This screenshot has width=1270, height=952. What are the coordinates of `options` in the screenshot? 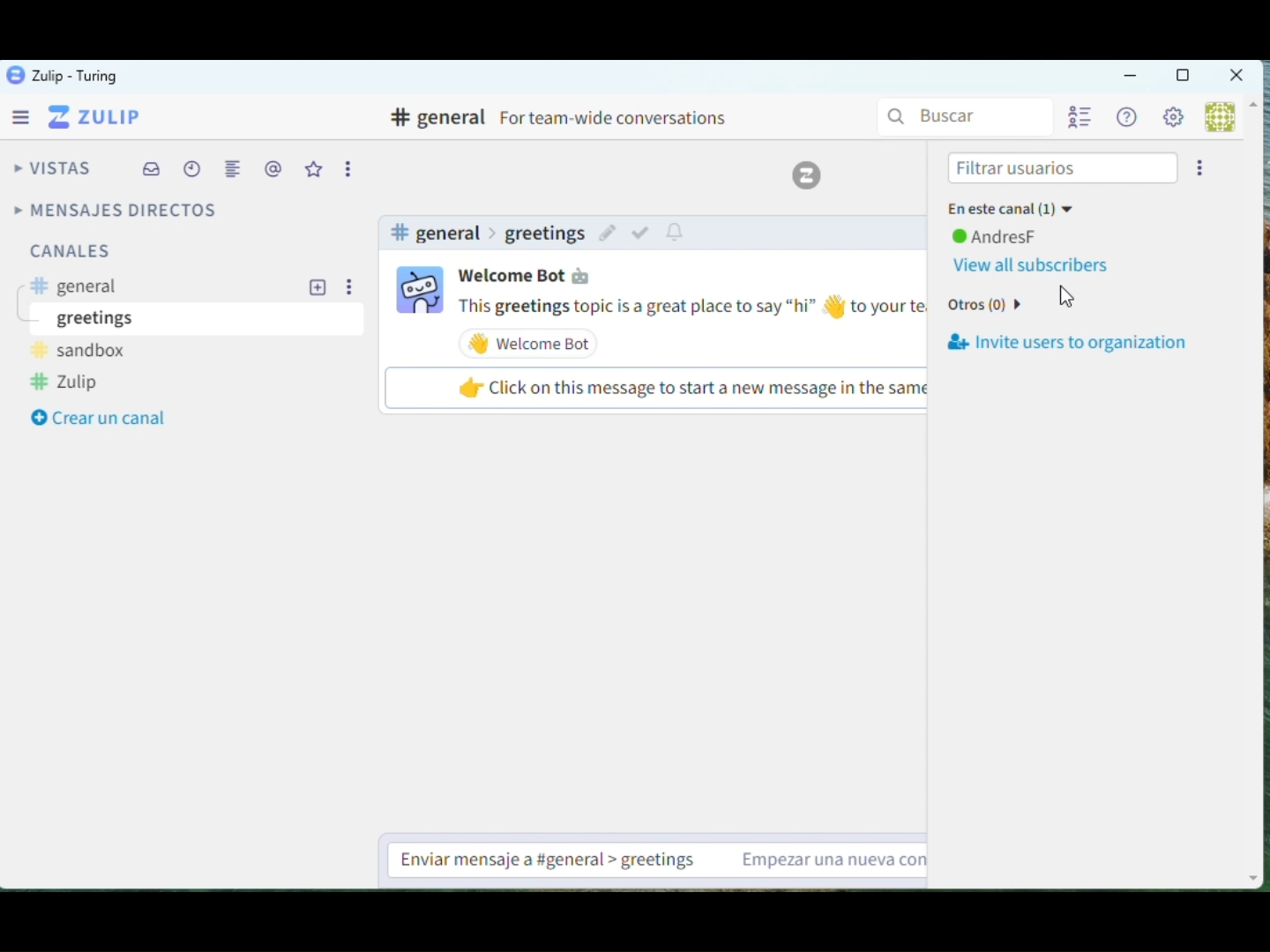 It's located at (353, 291).